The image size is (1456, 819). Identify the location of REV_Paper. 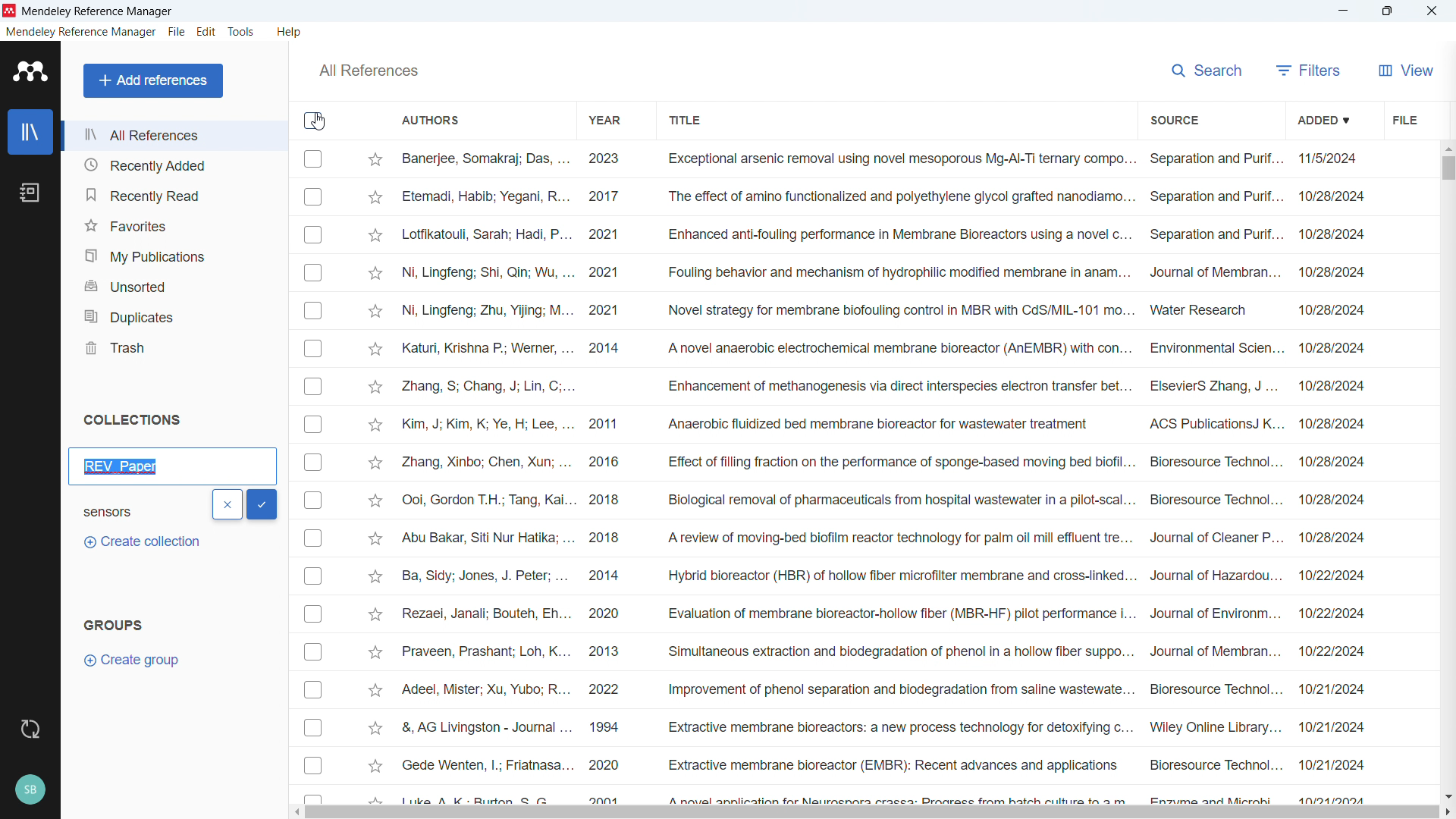
(122, 466).